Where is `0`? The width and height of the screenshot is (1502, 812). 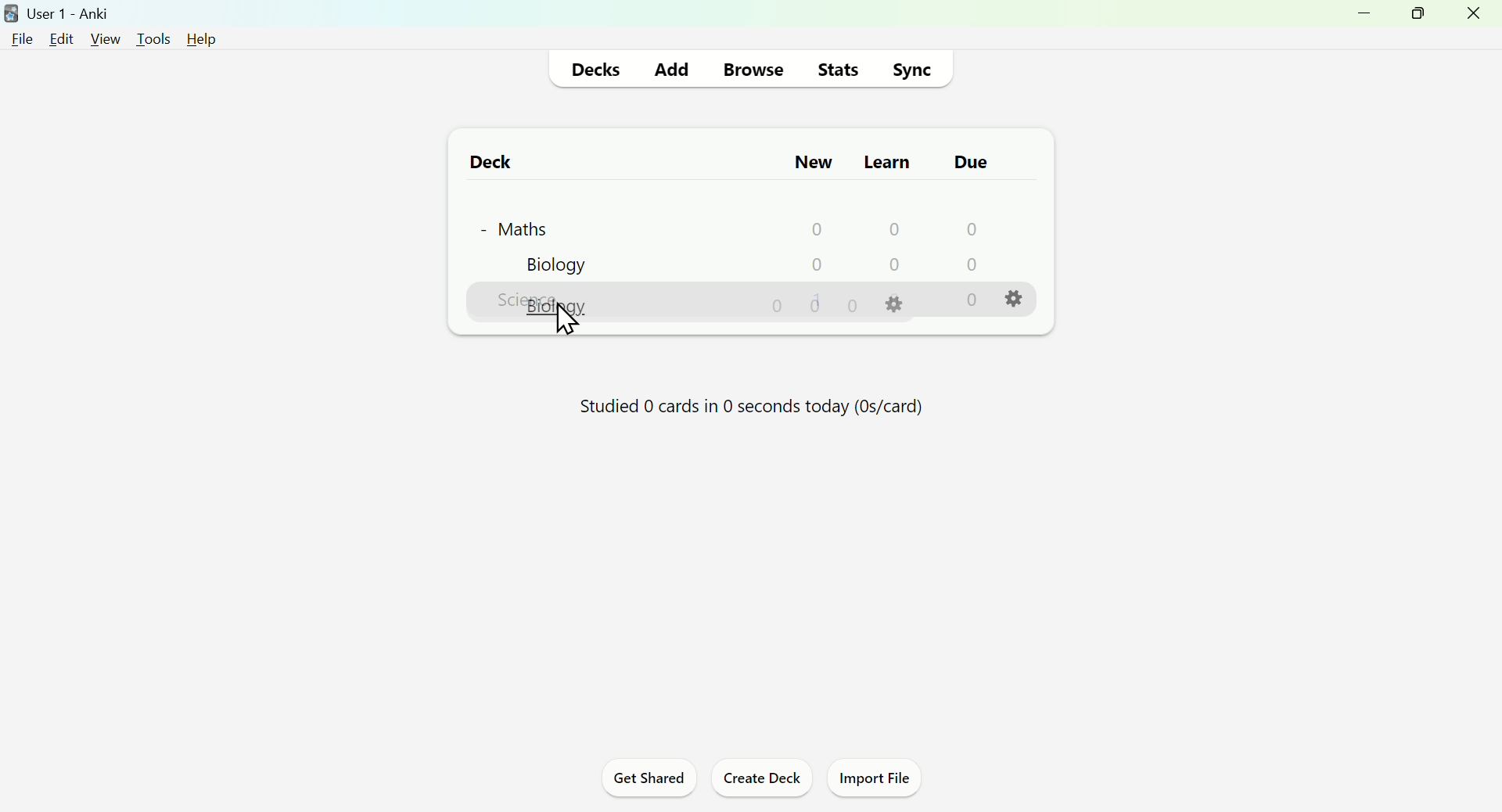
0 is located at coordinates (968, 265).